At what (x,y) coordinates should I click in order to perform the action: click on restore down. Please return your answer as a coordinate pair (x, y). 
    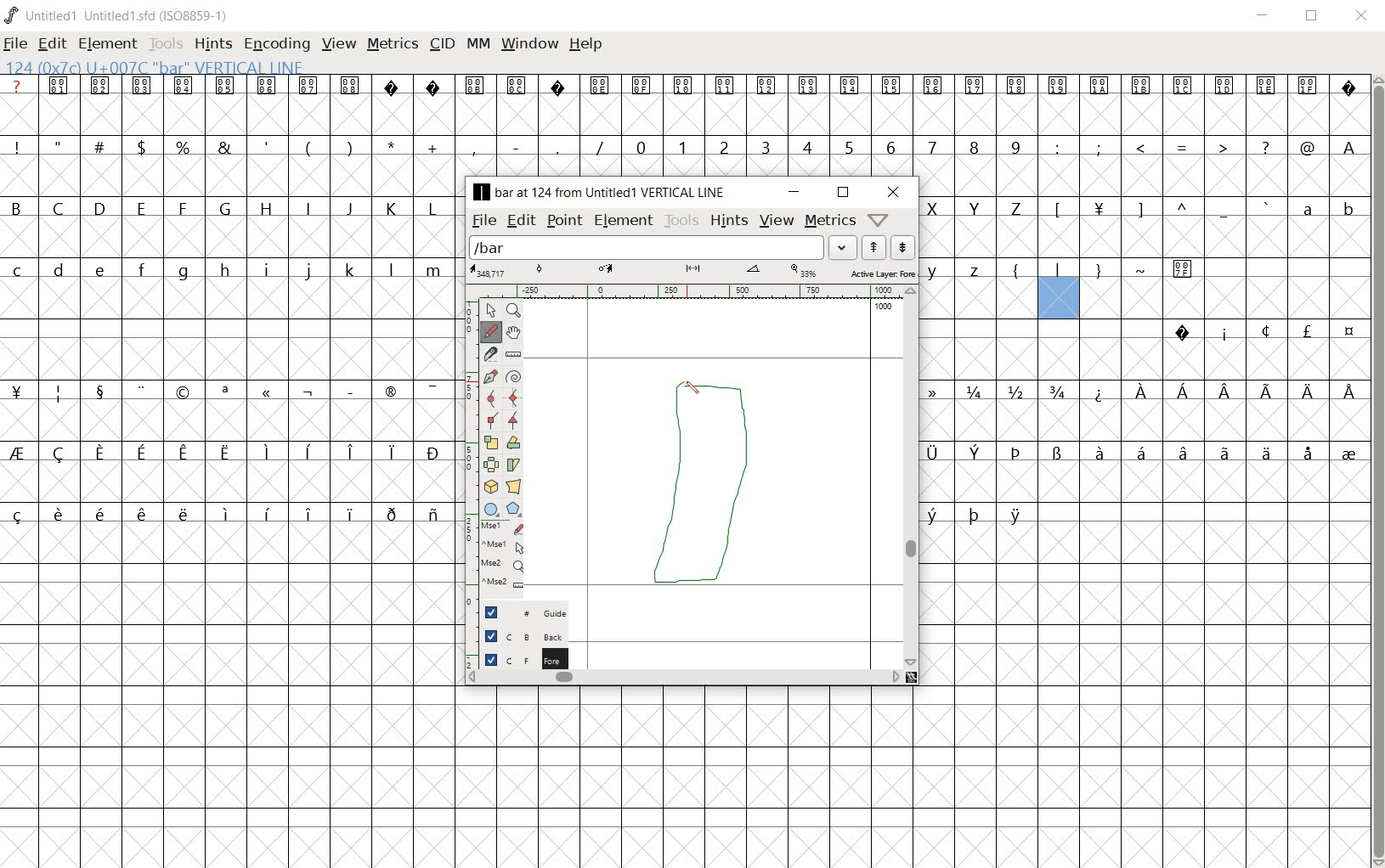
    Looking at the image, I should click on (843, 194).